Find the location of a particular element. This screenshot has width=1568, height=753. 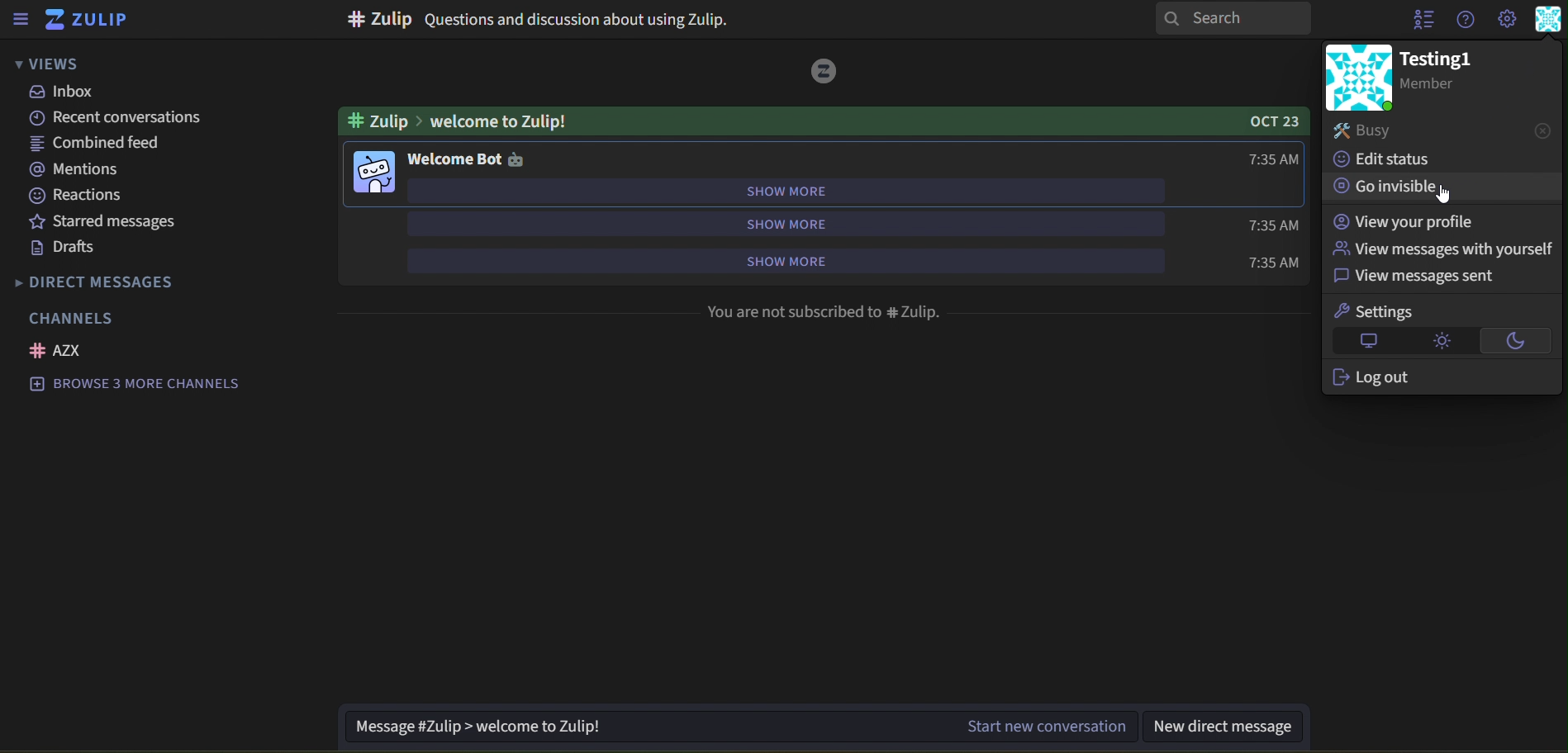

drafts is located at coordinates (64, 248).